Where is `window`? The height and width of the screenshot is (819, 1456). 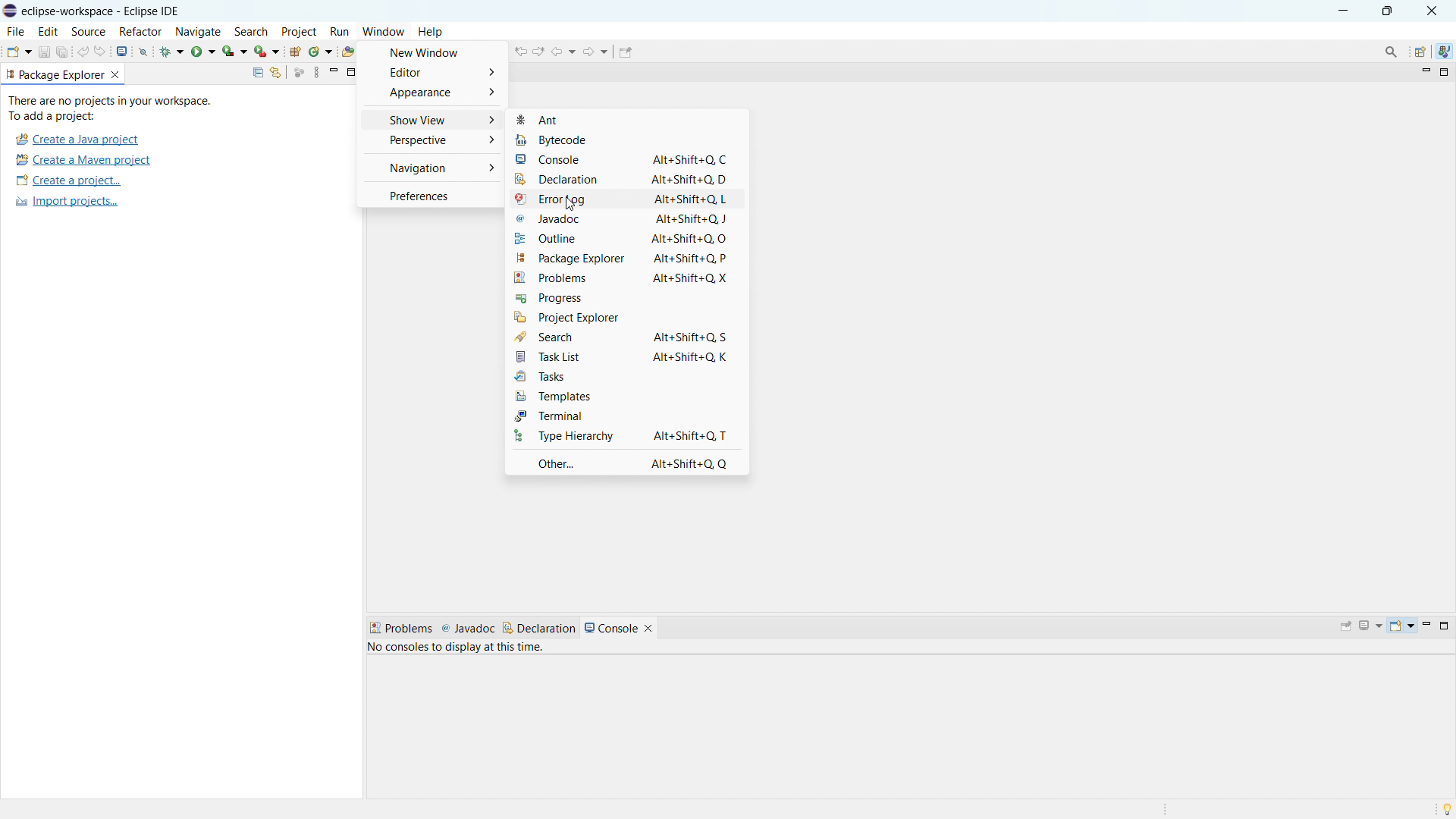 window is located at coordinates (382, 31).